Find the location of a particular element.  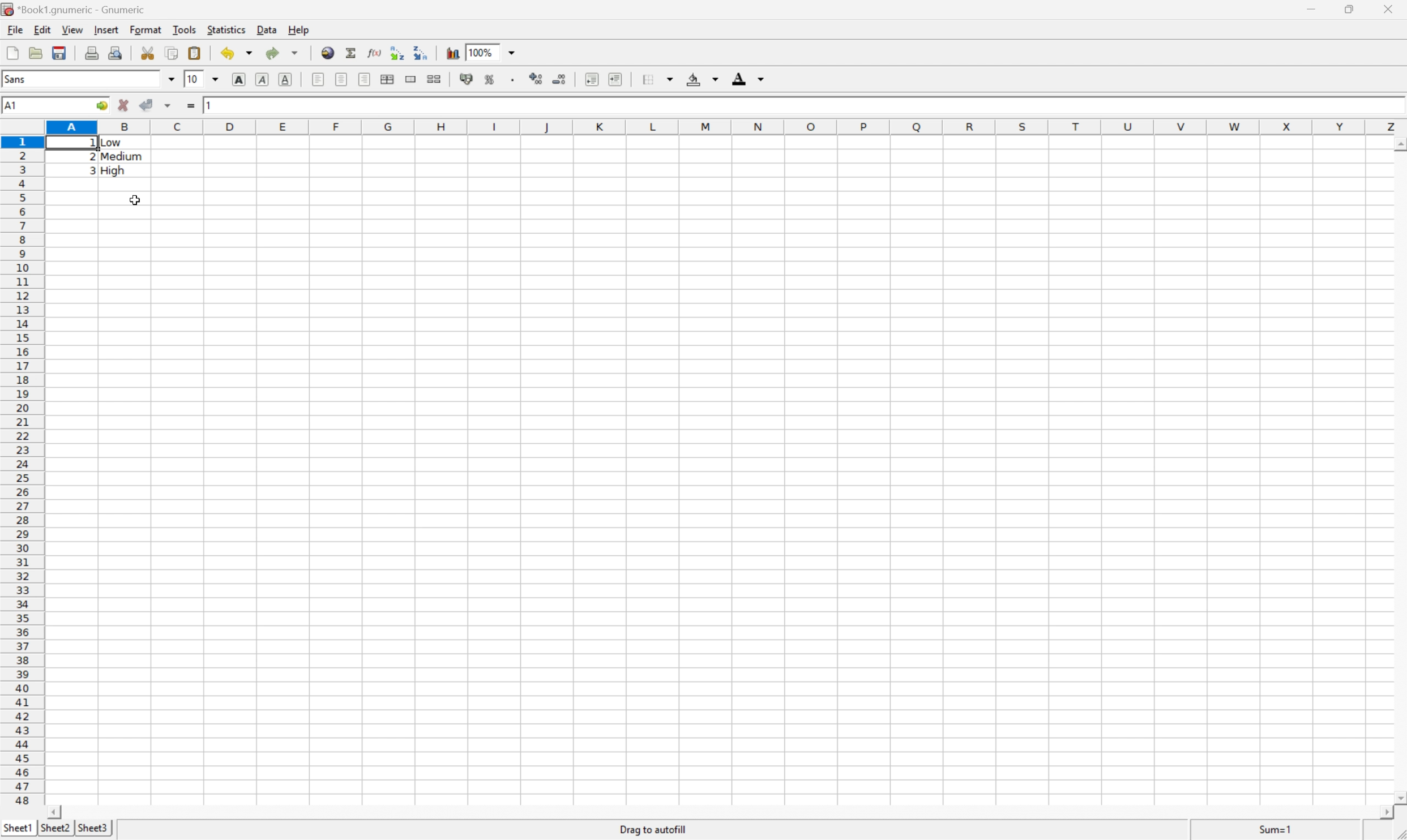

Insert hyperlink is located at coordinates (328, 52).